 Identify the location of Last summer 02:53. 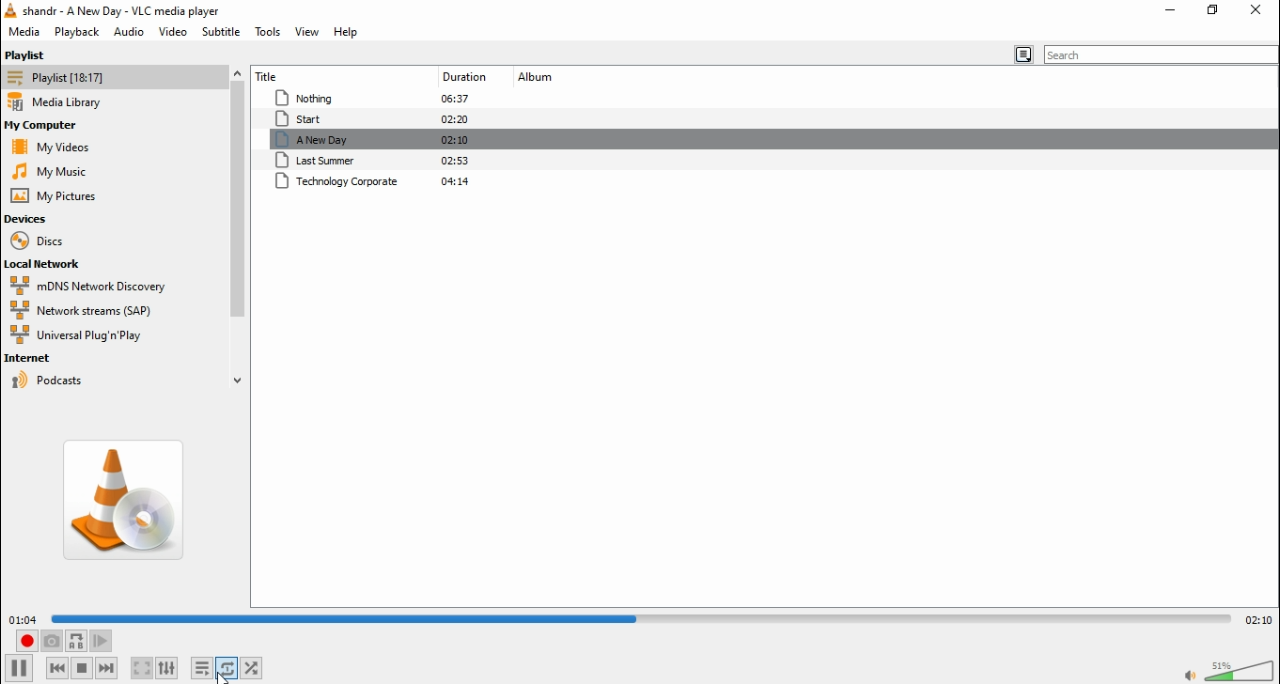
(378, 161).